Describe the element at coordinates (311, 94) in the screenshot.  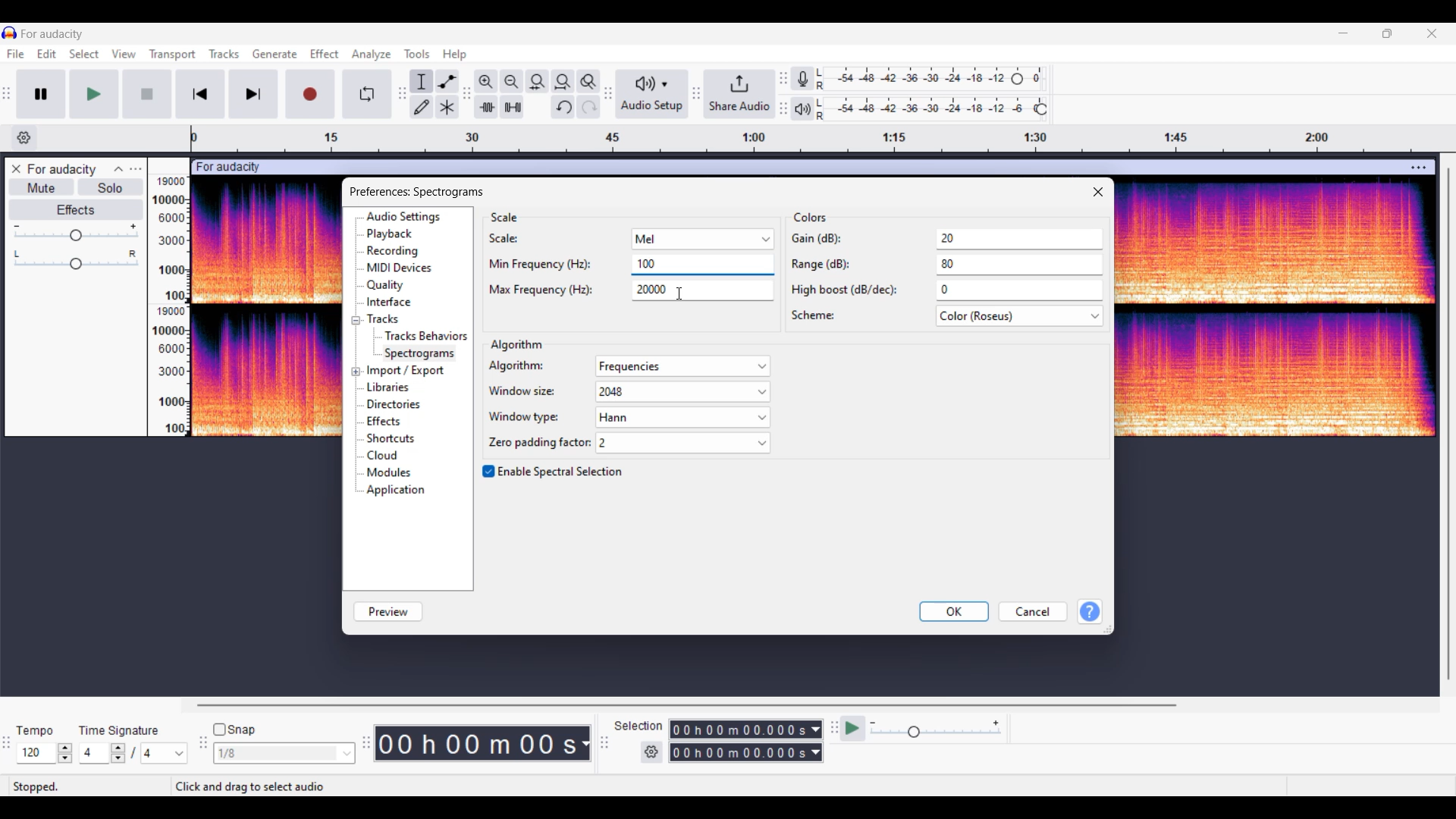
I see `Record/Record new track` at that location.